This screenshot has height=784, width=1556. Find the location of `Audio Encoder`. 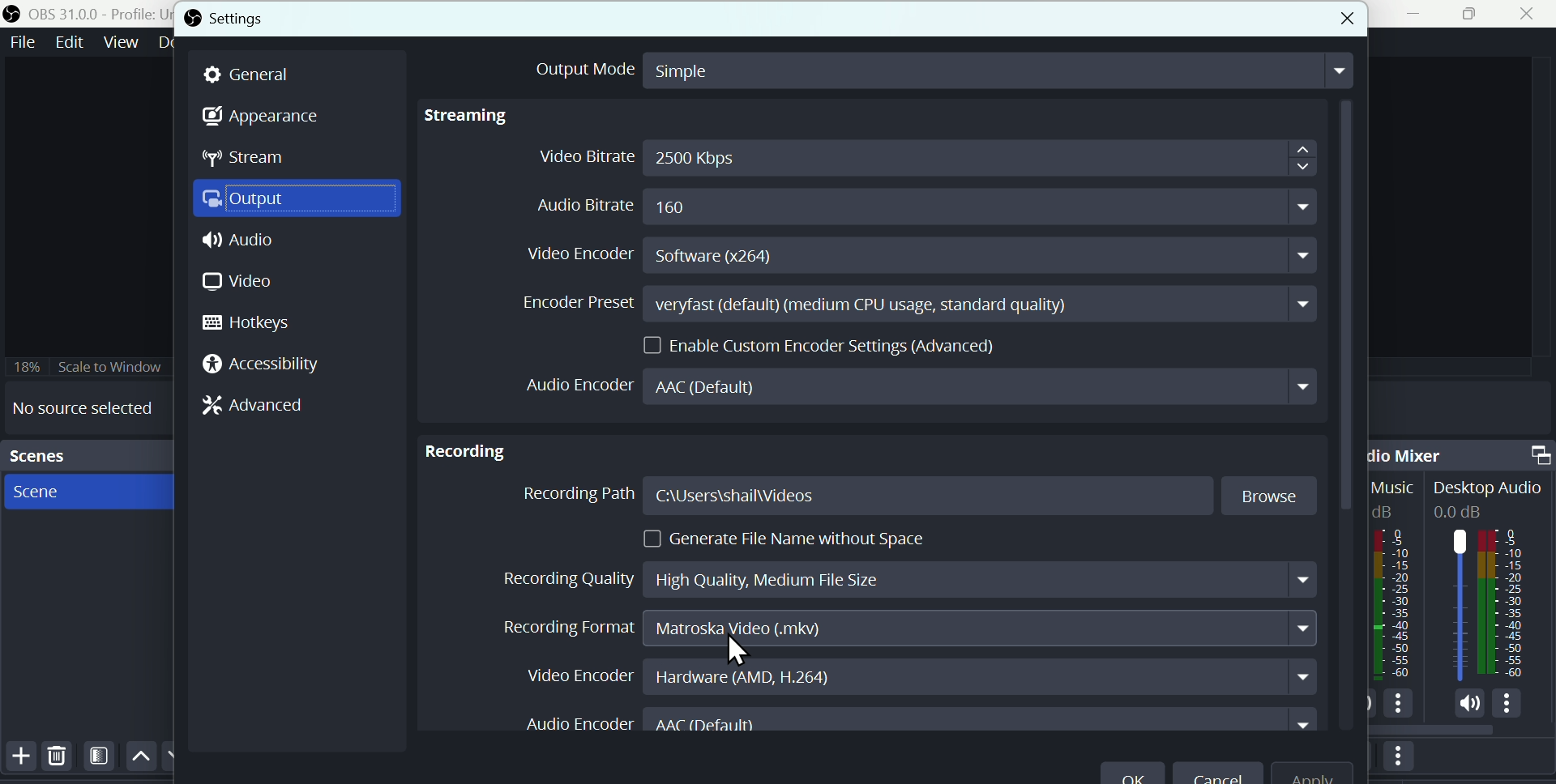

Audio Encoder is located at coordinates (913, 721).